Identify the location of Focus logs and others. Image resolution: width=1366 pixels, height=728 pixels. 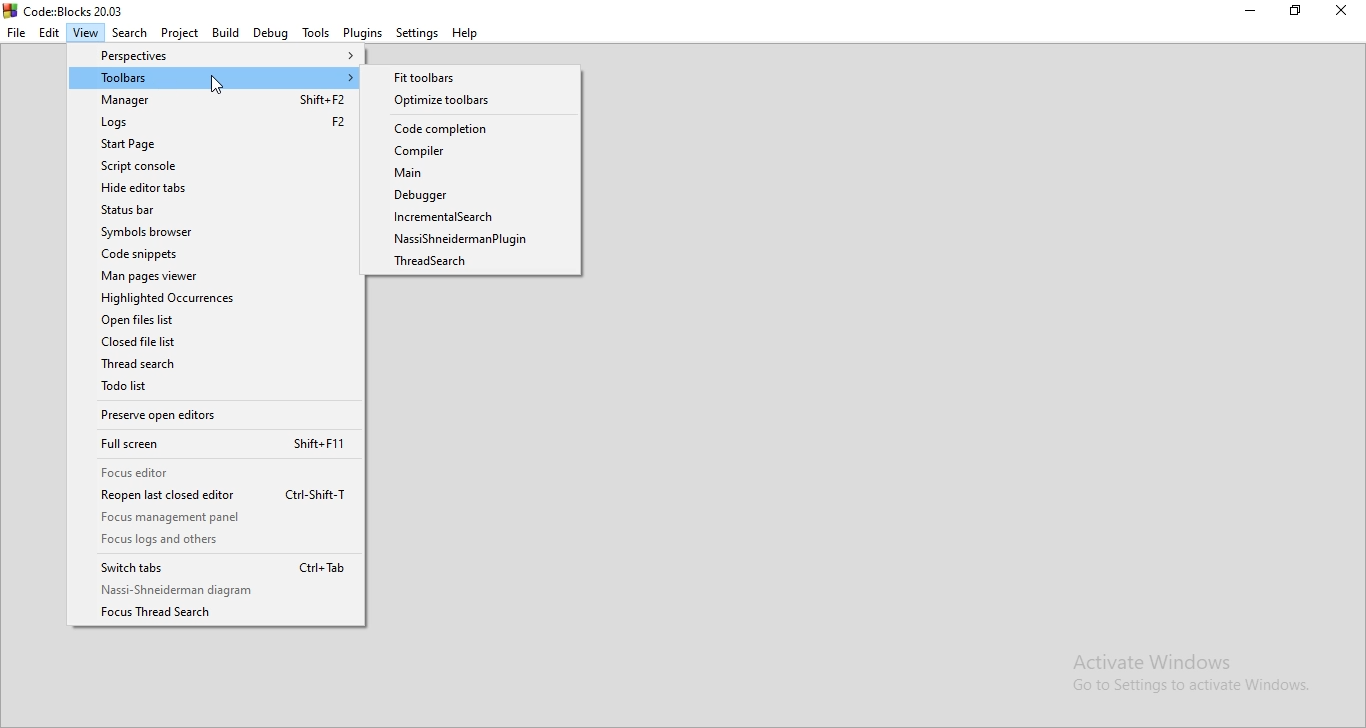
(216, 543).